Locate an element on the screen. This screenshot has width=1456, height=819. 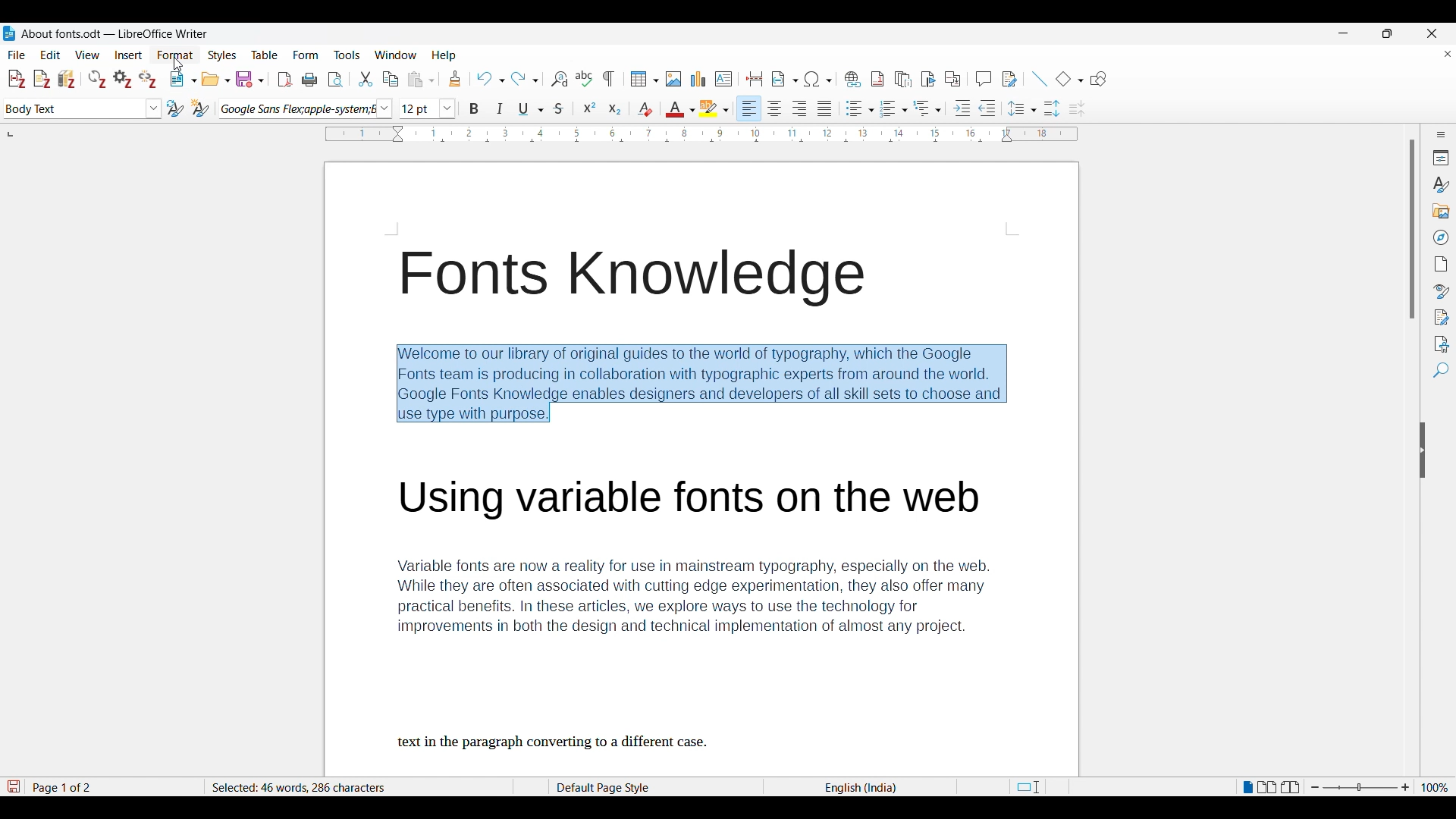
Styles menu is located at coordinates (222, 55).